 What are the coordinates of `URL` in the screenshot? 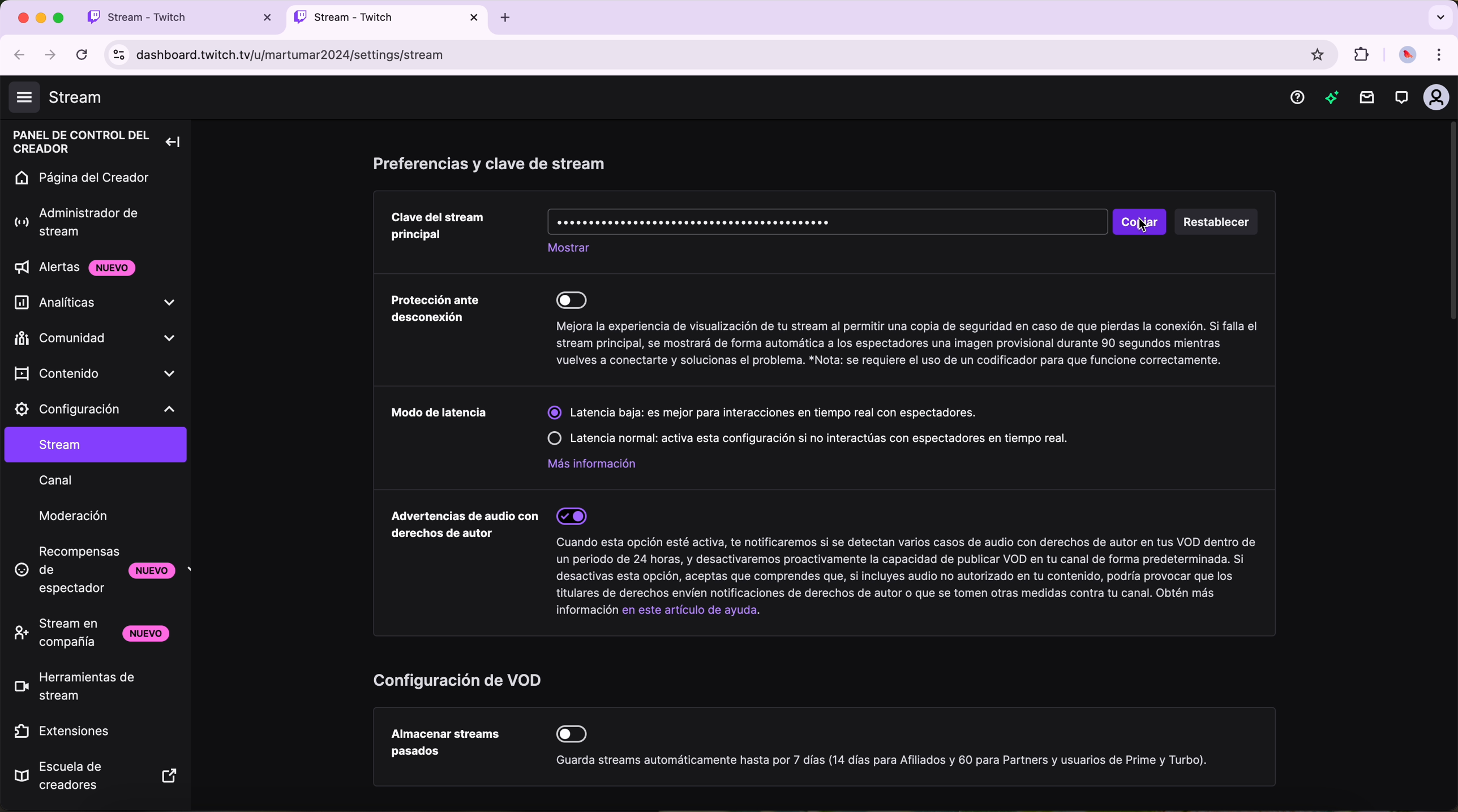 It's located at (293, 54).